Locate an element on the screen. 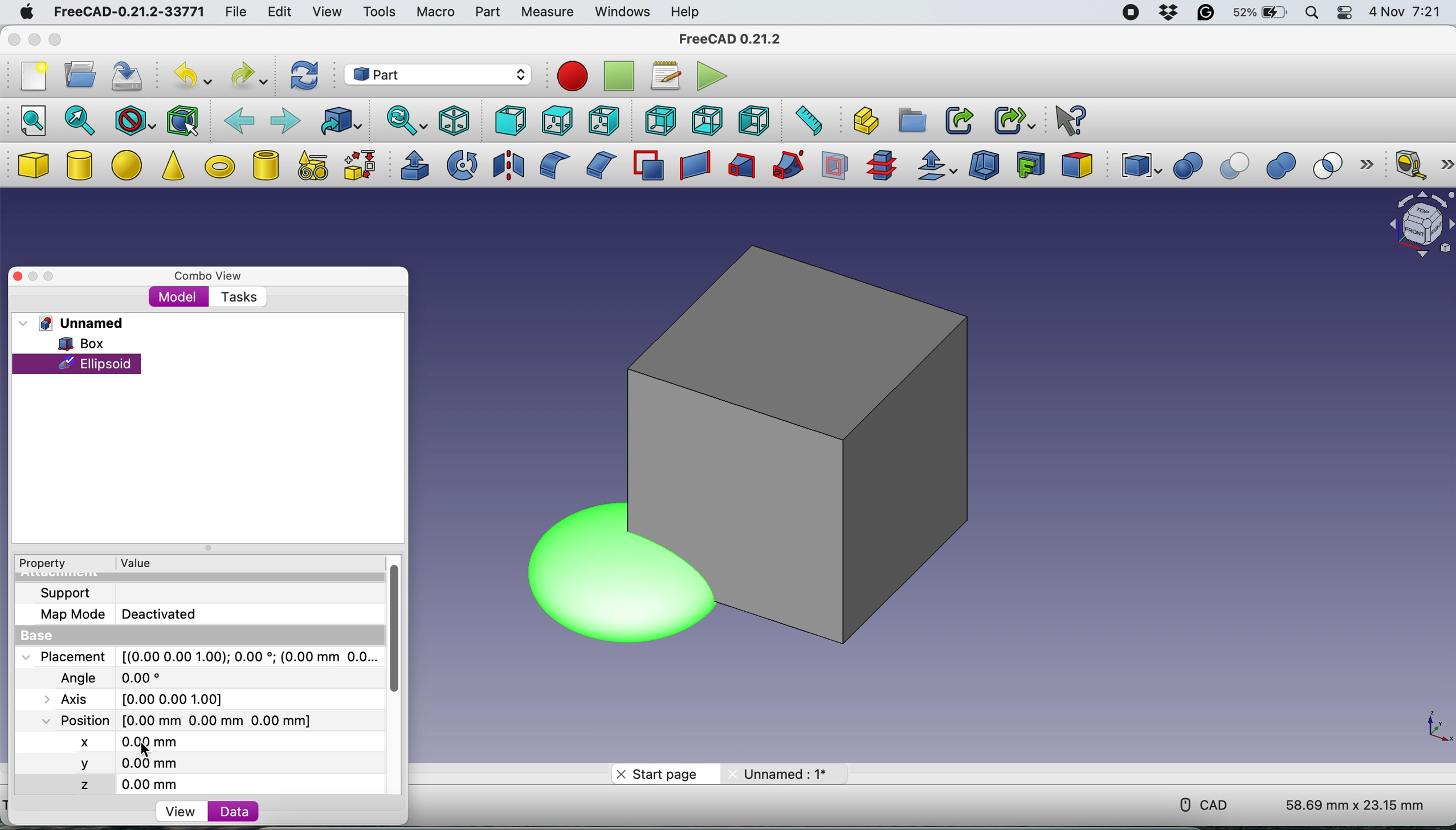  Deactivated is located at coordinates (164, 612).